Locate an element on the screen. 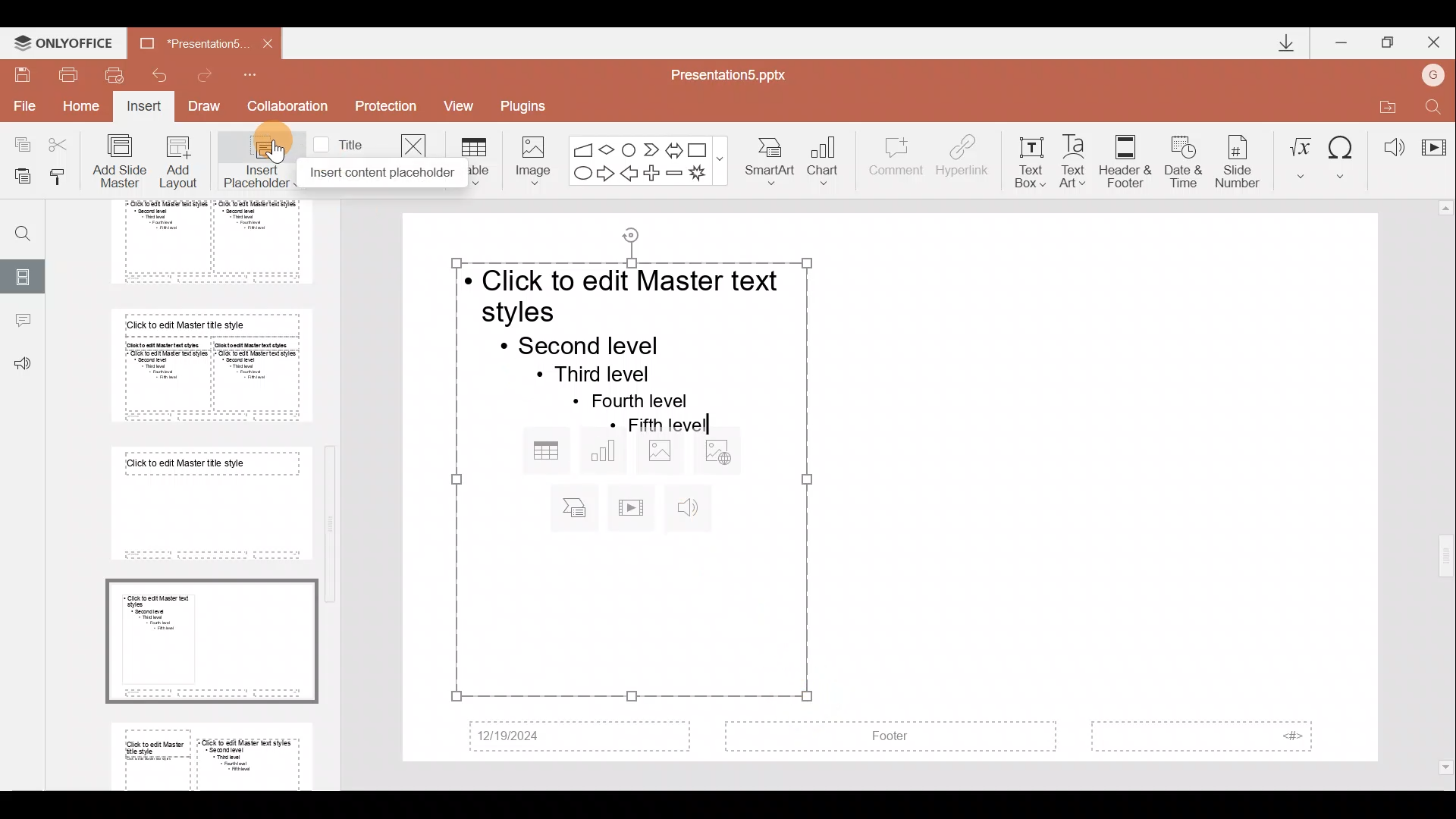 This screenshot has height=819, width=1456. Close is located at coordinates (1436, 39).